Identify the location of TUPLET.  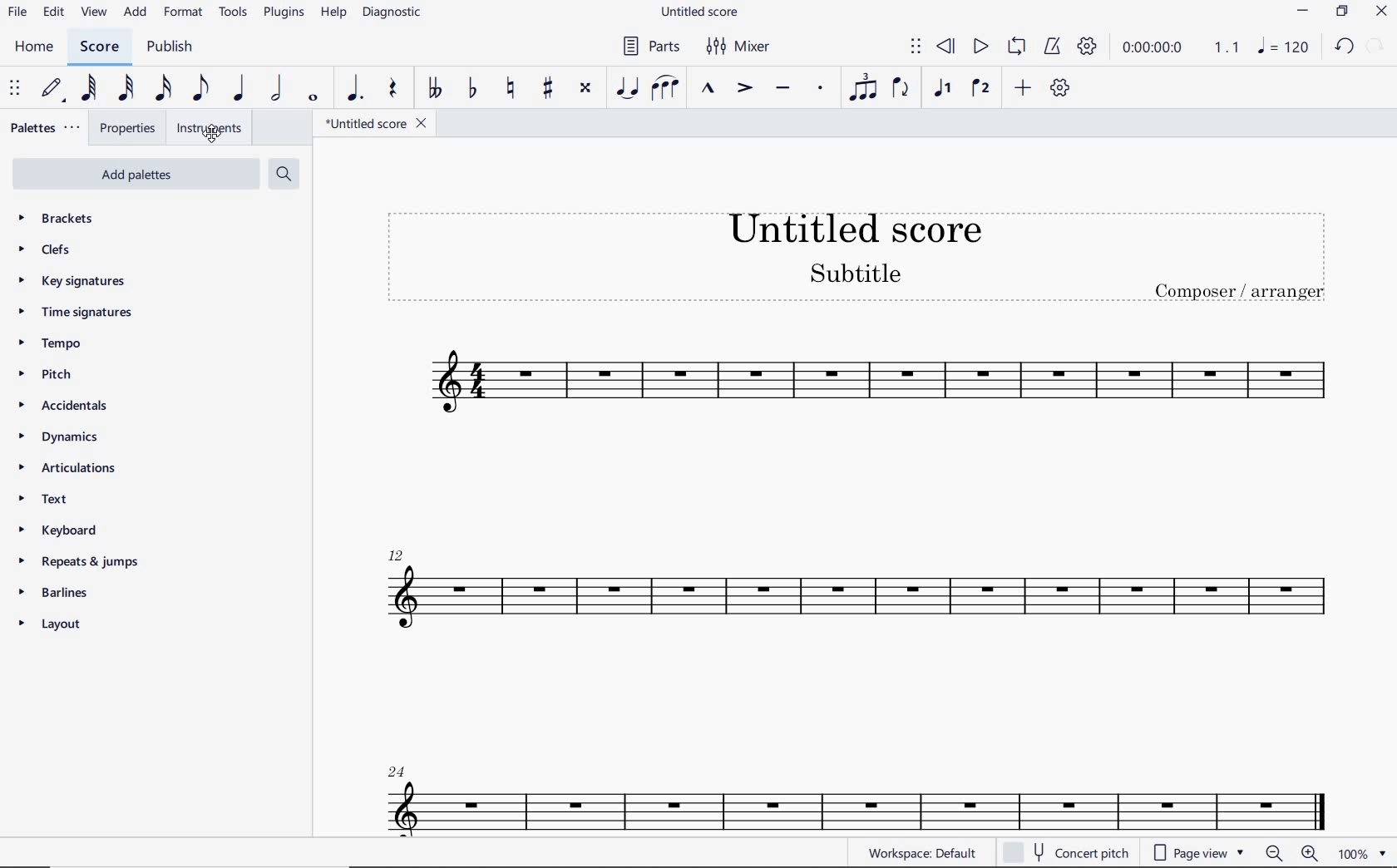
(858, 89).